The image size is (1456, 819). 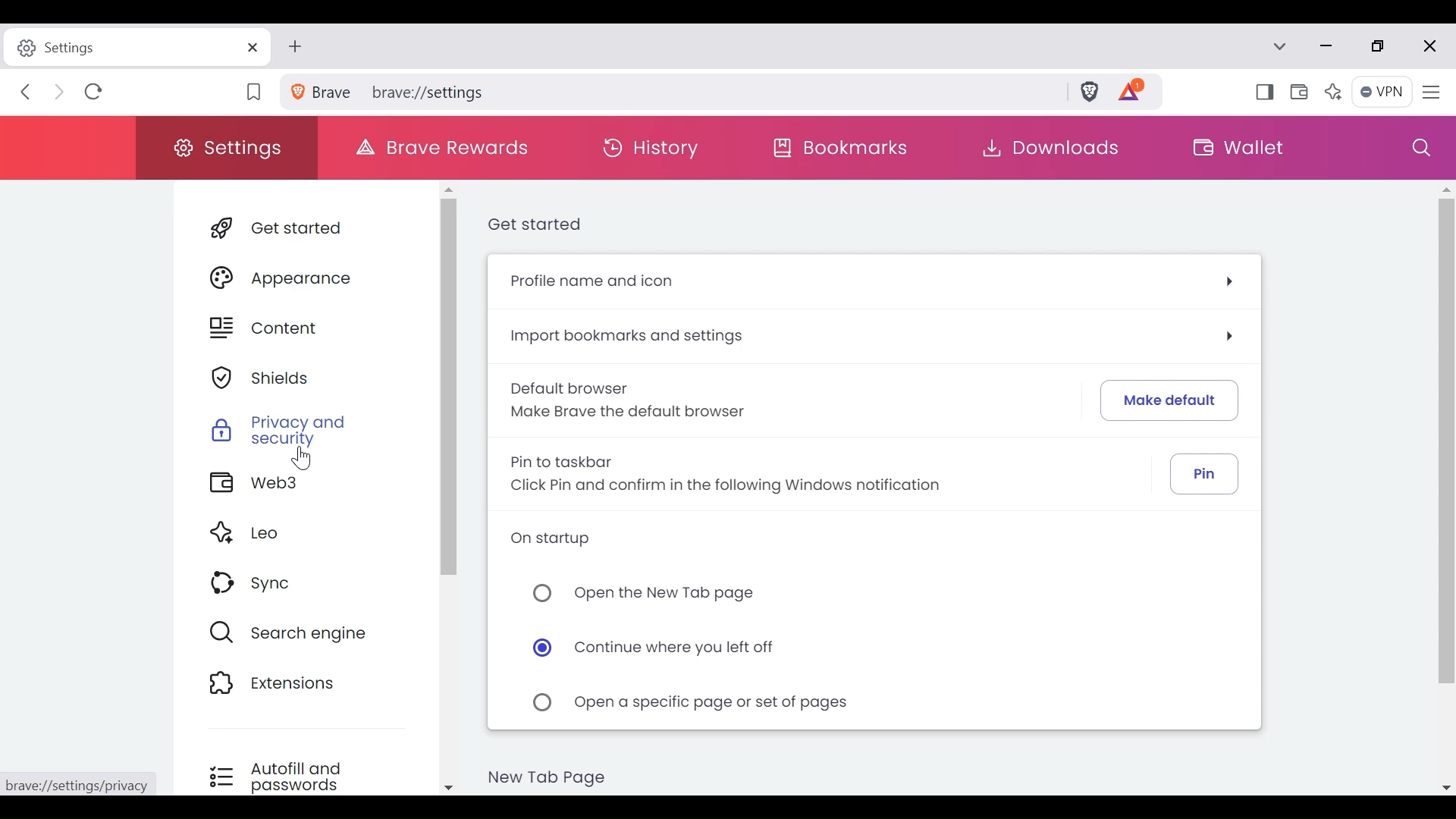 What do you see at coordinates (448, 187) in the screenshot?
I see `Scroll up` at bounding box center [448, 187].